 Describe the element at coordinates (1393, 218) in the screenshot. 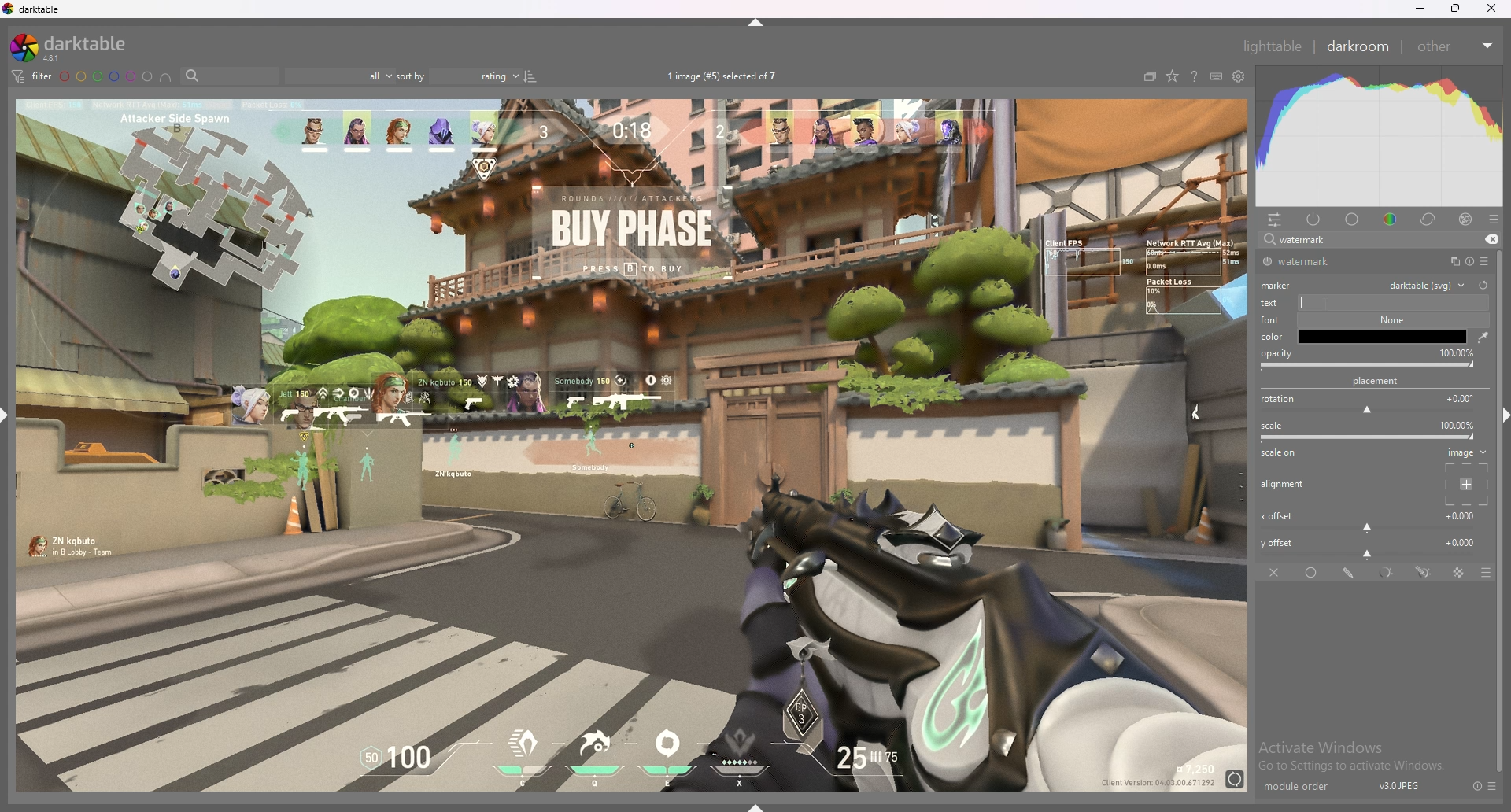

I see `color` at that location.